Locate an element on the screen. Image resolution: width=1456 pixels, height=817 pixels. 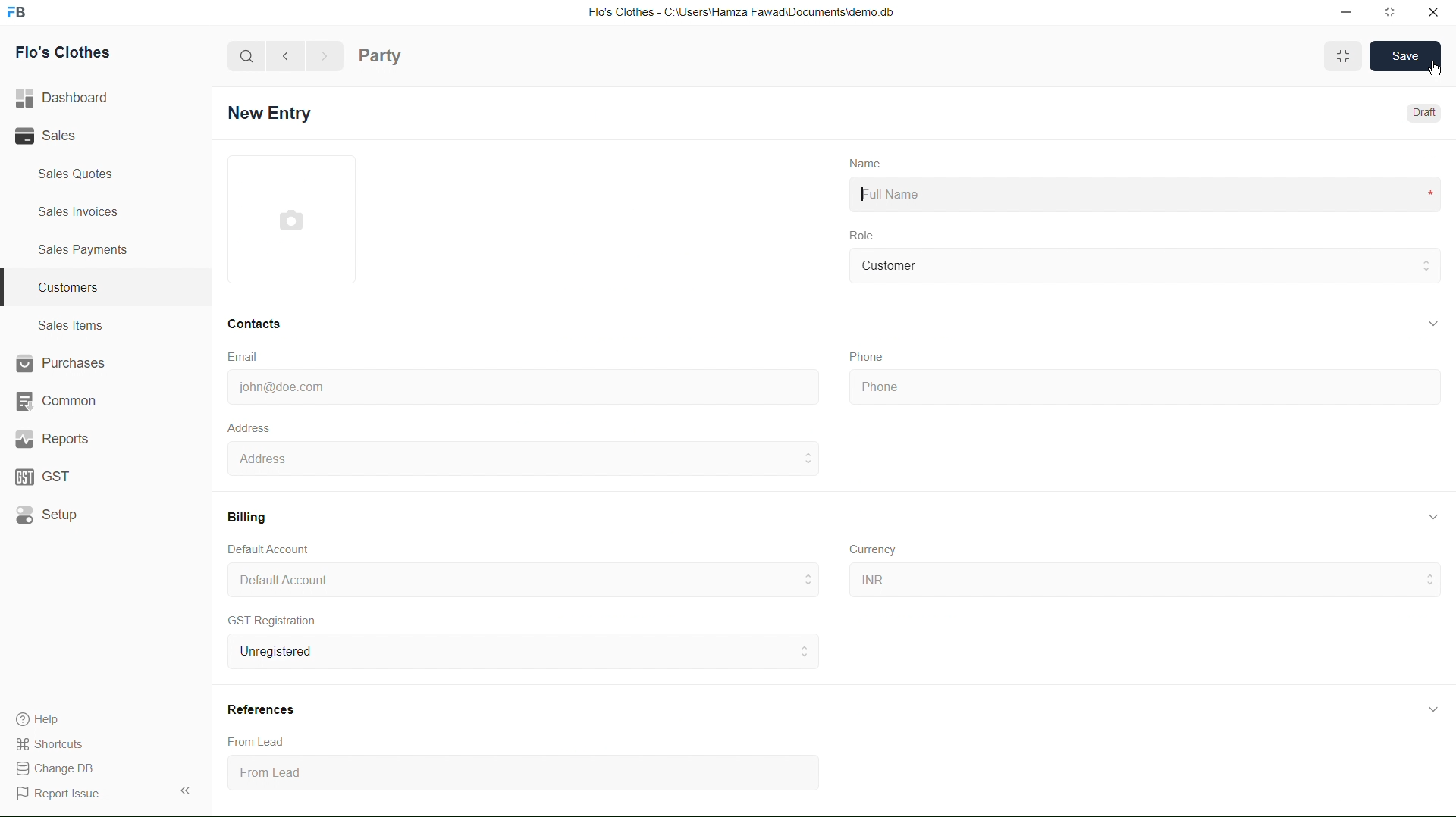
maximize is located at coordinates (1392, 14).